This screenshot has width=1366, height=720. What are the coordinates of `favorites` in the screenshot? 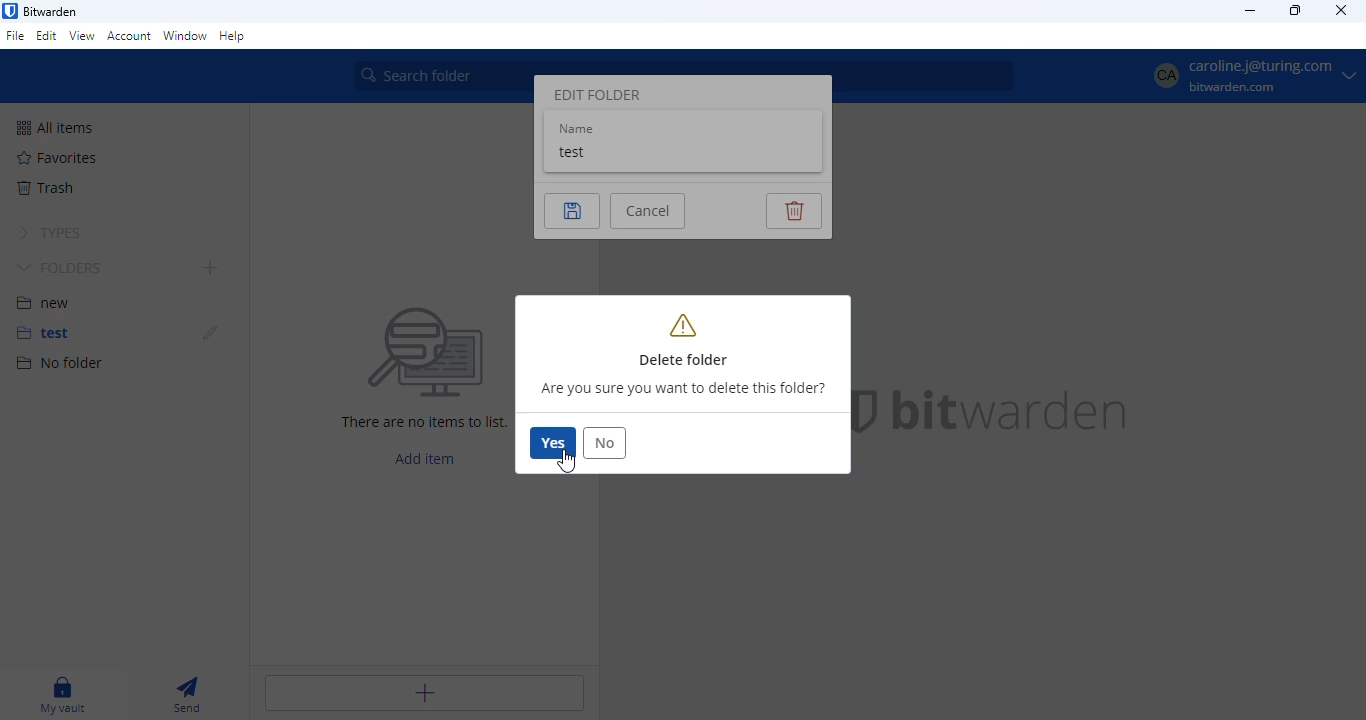 It's located at (58, 158).